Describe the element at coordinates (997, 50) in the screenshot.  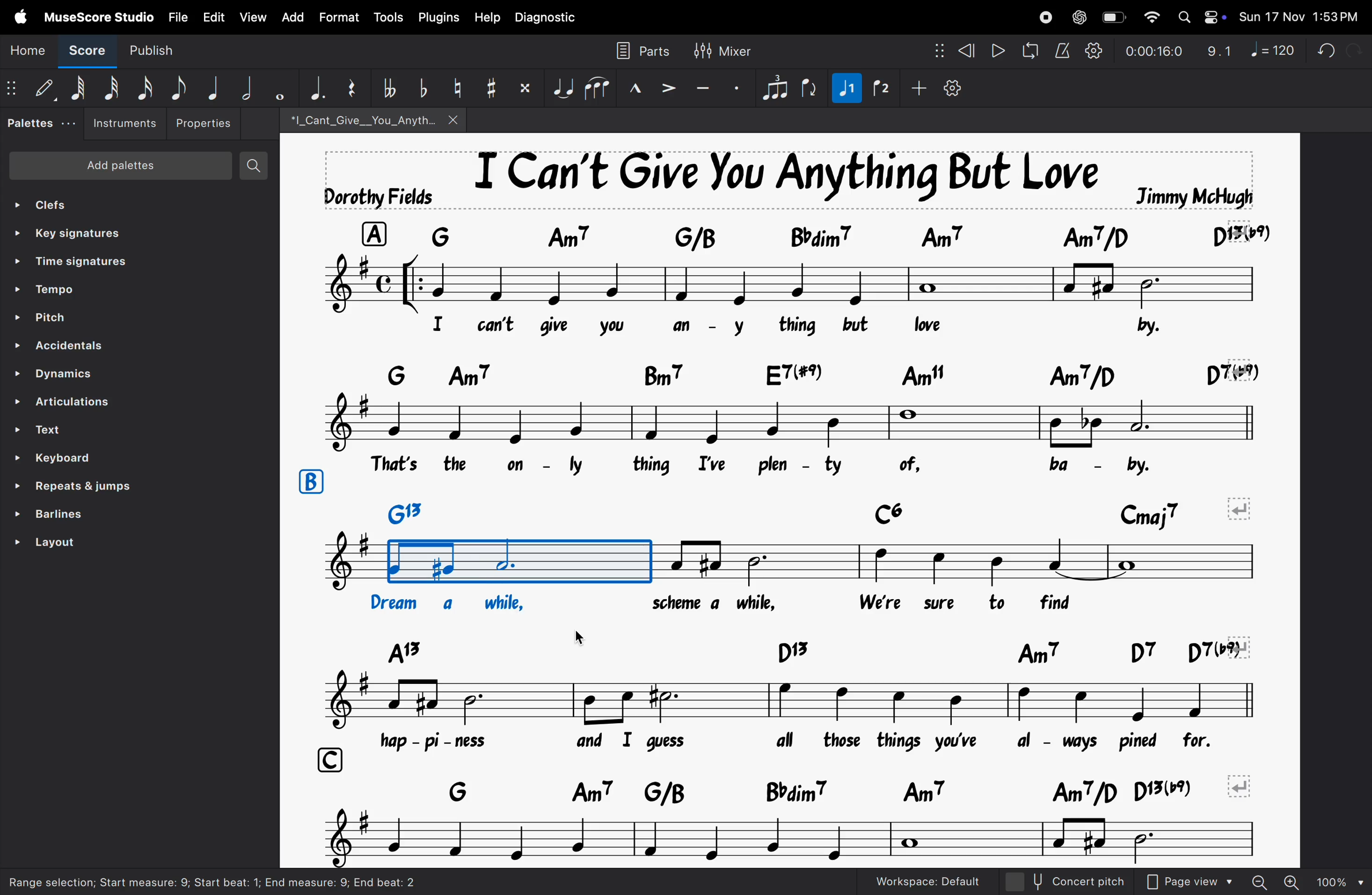
I see `play rewind` at that location.